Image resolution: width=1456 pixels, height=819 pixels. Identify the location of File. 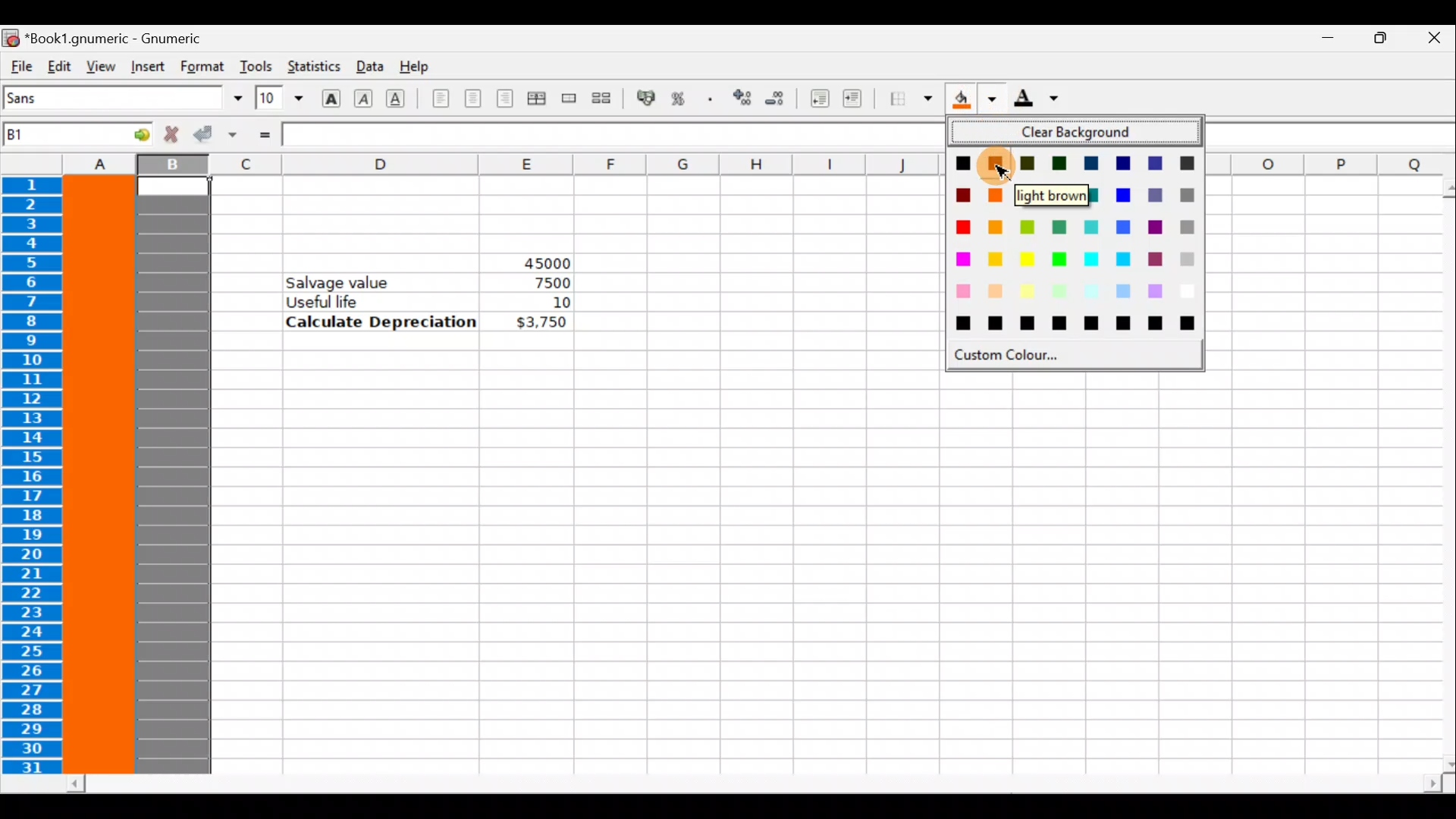
(20, 67).